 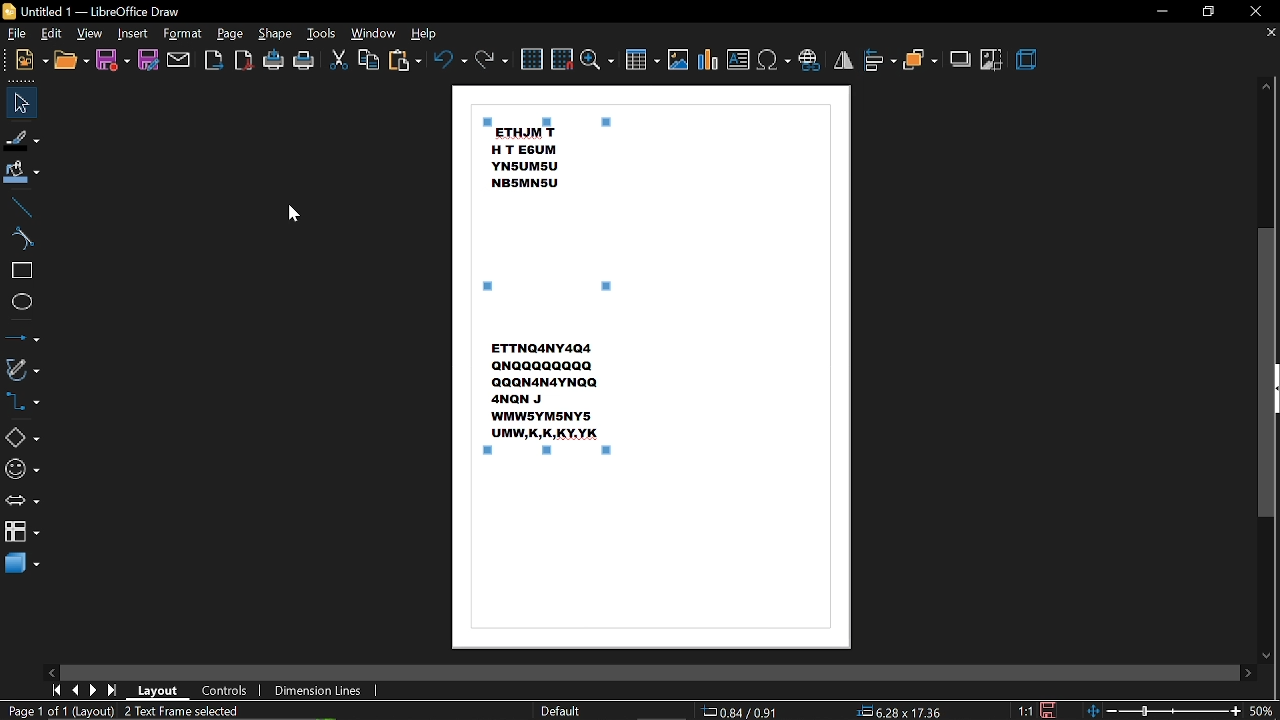 What do you see at coordinates (22, 334) in the screenshot?
I see `lines and arrows` at bounding box center [22, 334].